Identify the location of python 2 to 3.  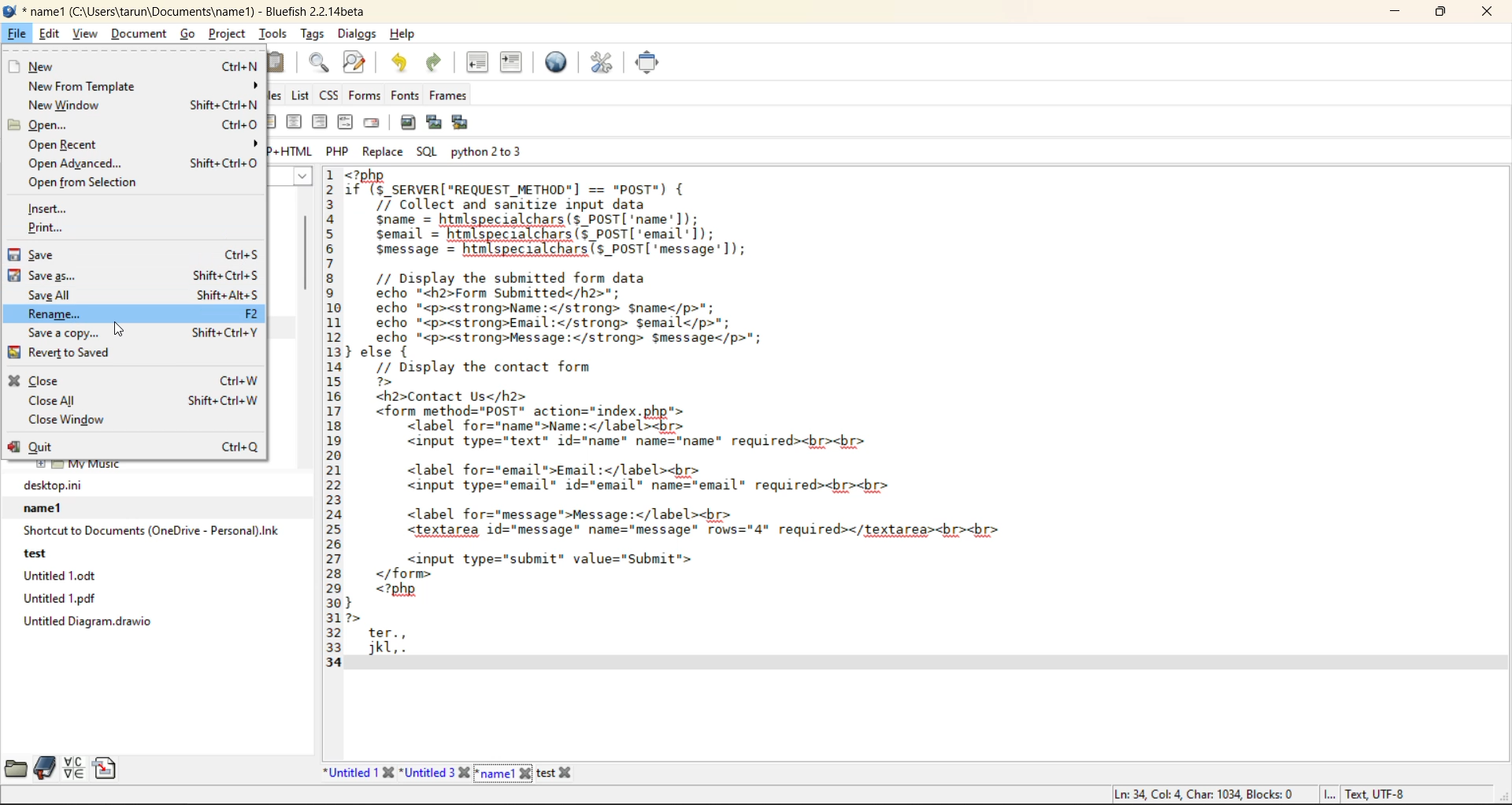
(491, 150).